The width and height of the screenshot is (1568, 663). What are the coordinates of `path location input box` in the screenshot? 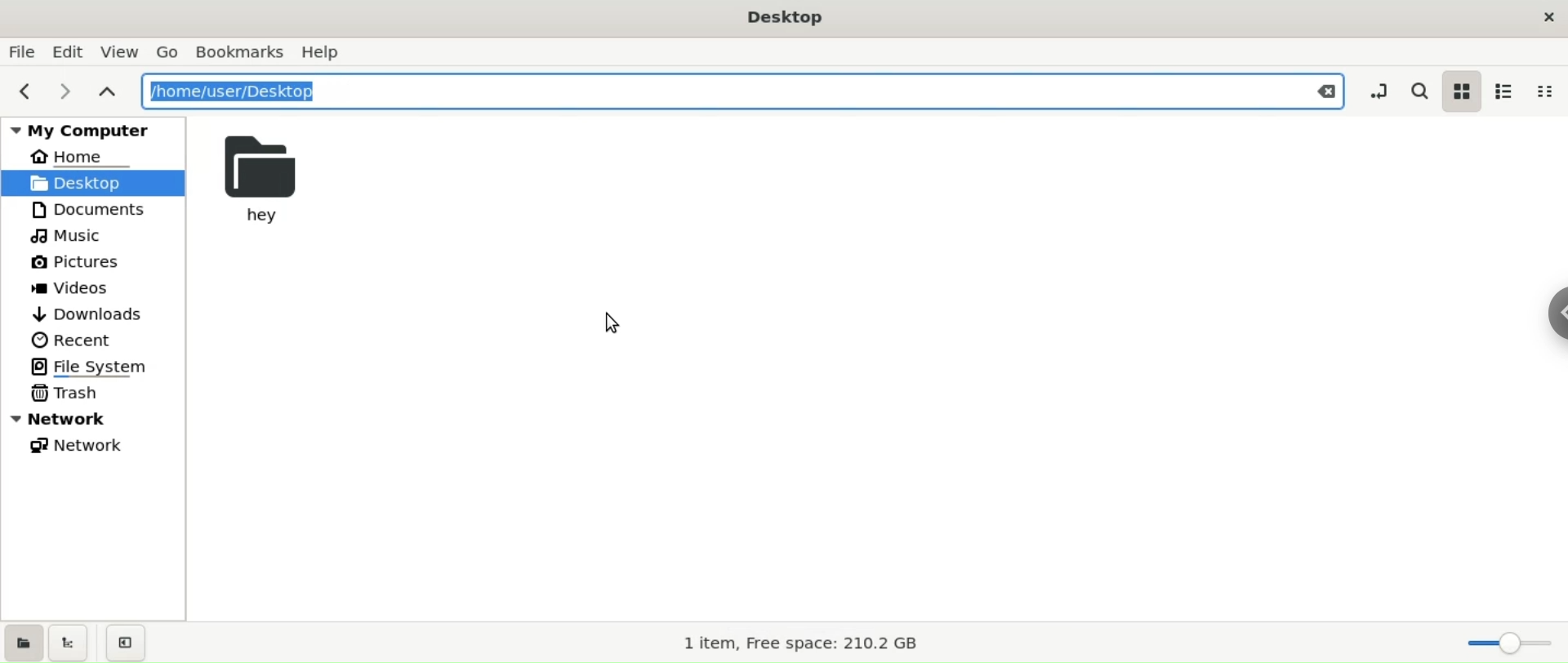 It's located at (744, 91).